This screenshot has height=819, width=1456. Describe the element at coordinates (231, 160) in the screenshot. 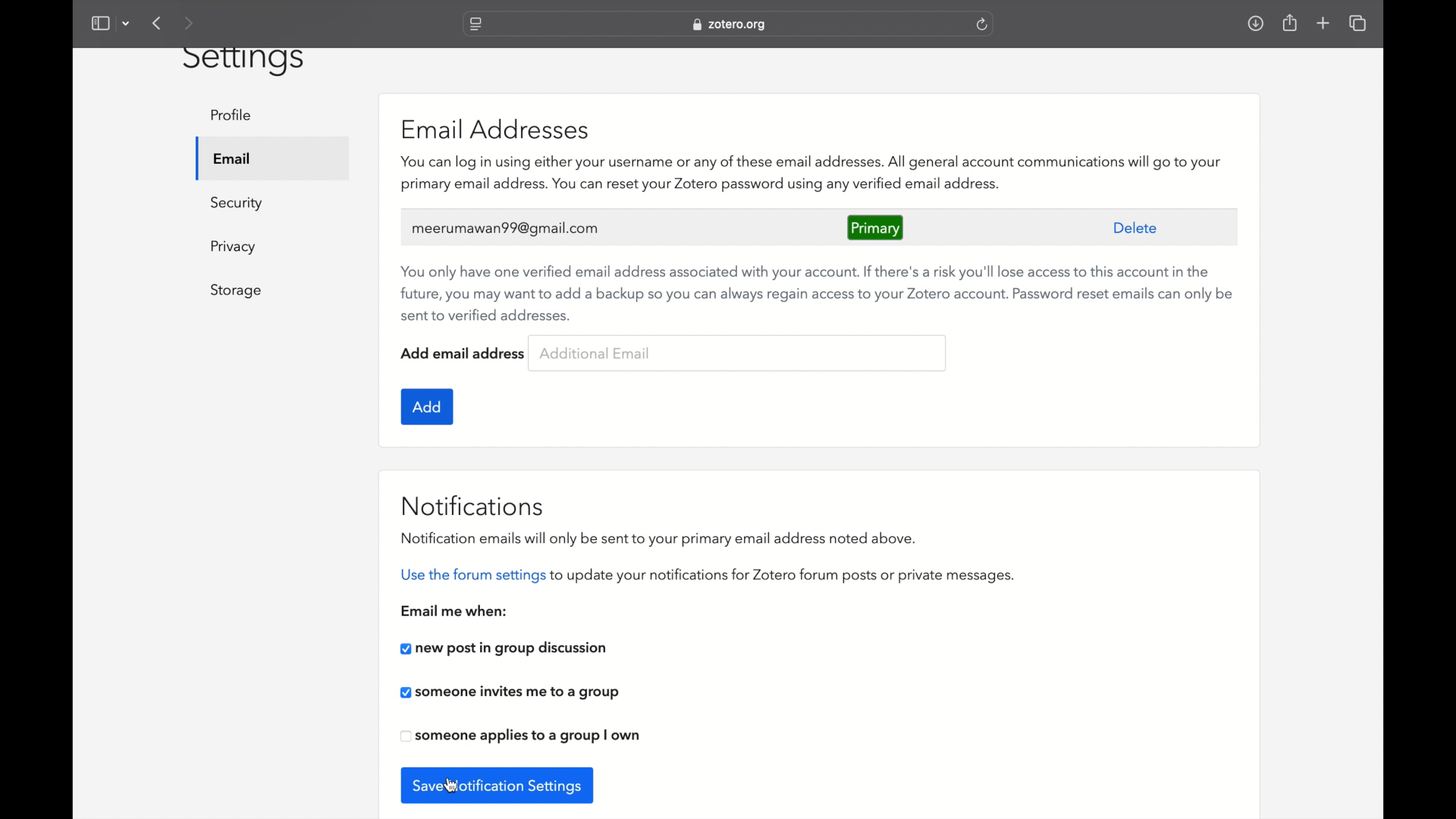

I see `email` at that location.